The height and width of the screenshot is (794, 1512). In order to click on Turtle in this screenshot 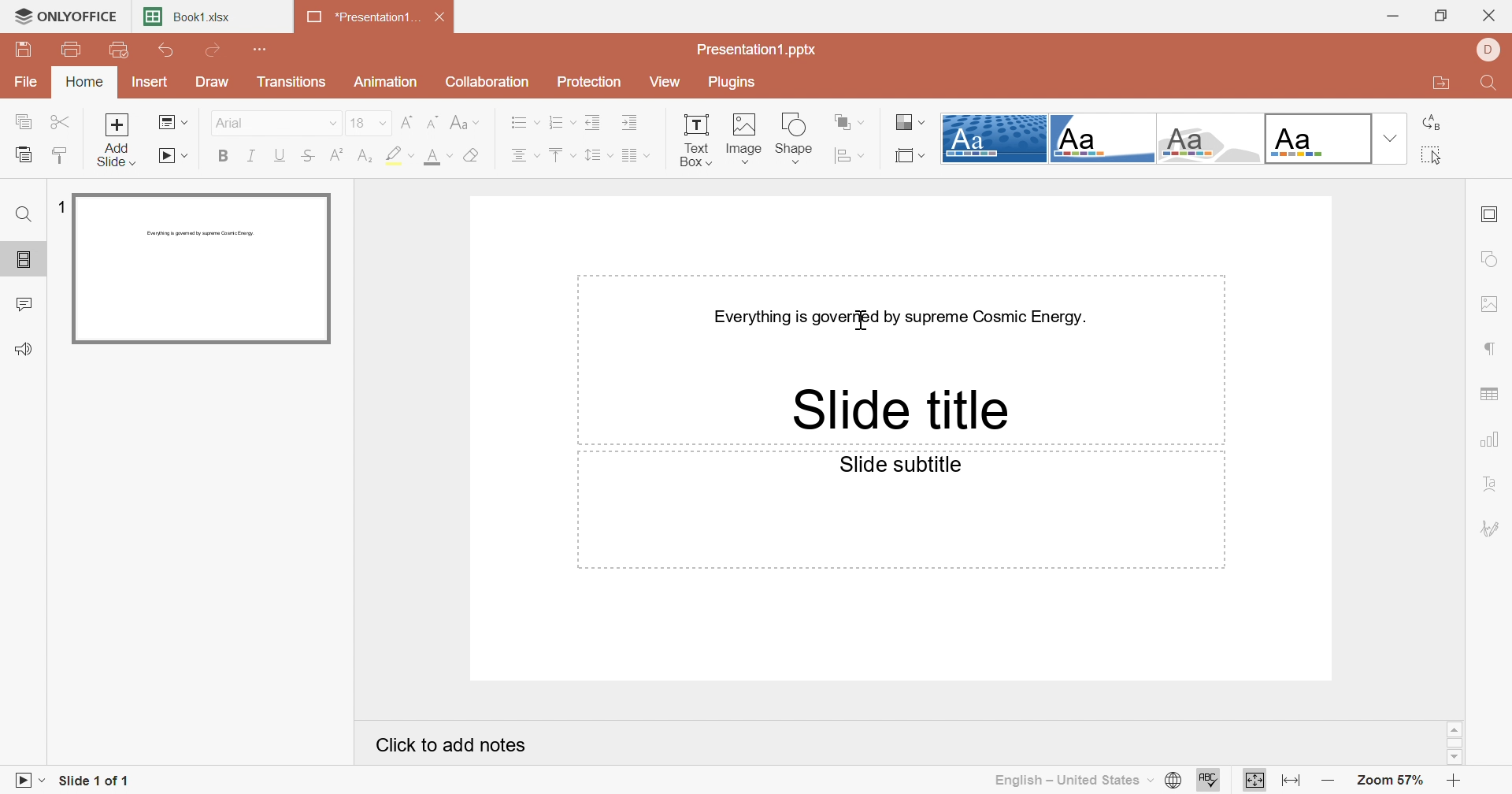, I will do `click(1210, 139)`.